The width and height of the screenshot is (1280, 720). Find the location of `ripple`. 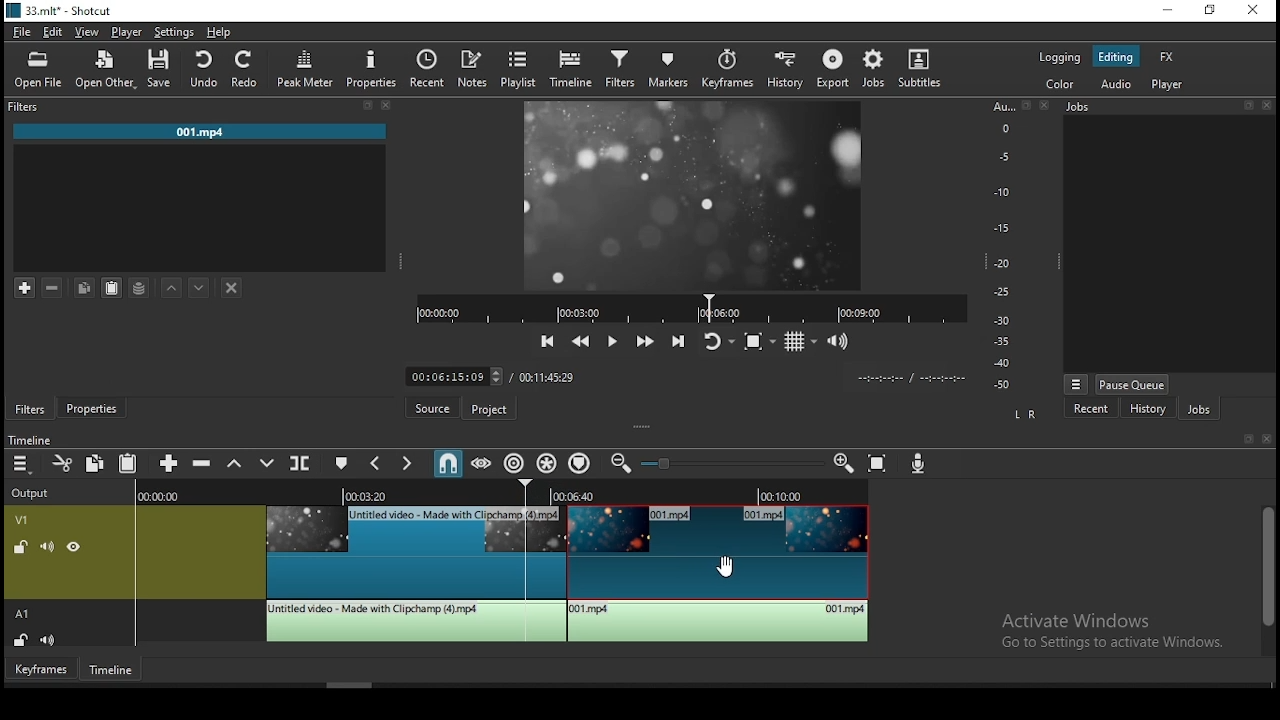

ripple is located at coordinates (514, 463).